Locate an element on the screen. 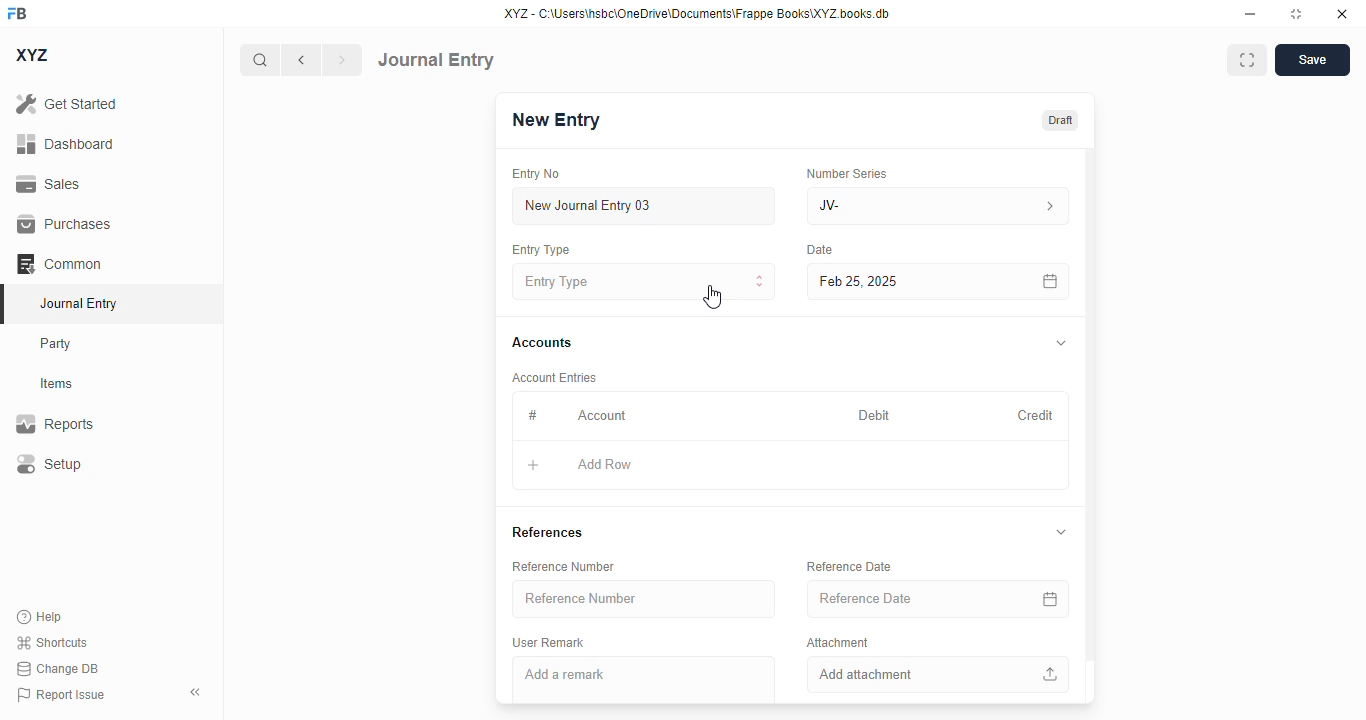  new journal entry 03 is located at coordinates (642, 206).